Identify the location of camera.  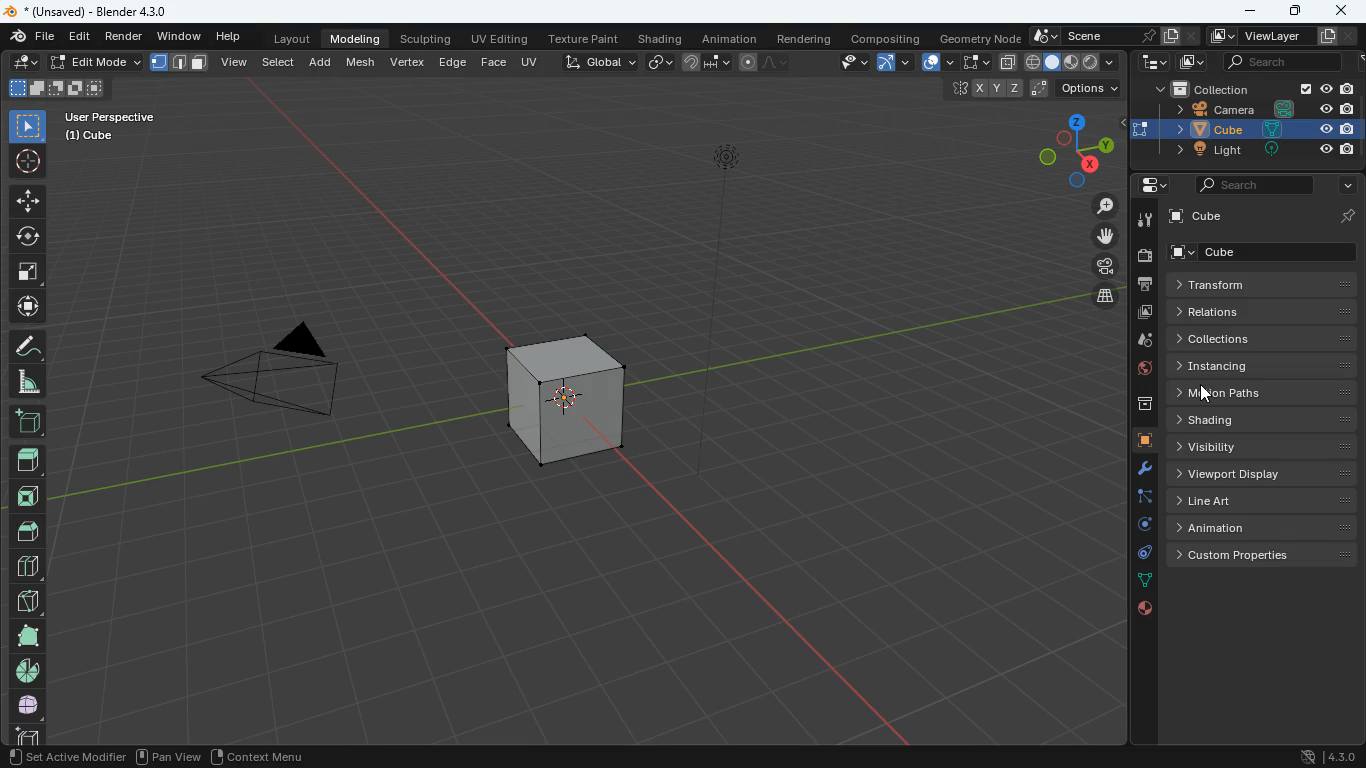
(268, 380).